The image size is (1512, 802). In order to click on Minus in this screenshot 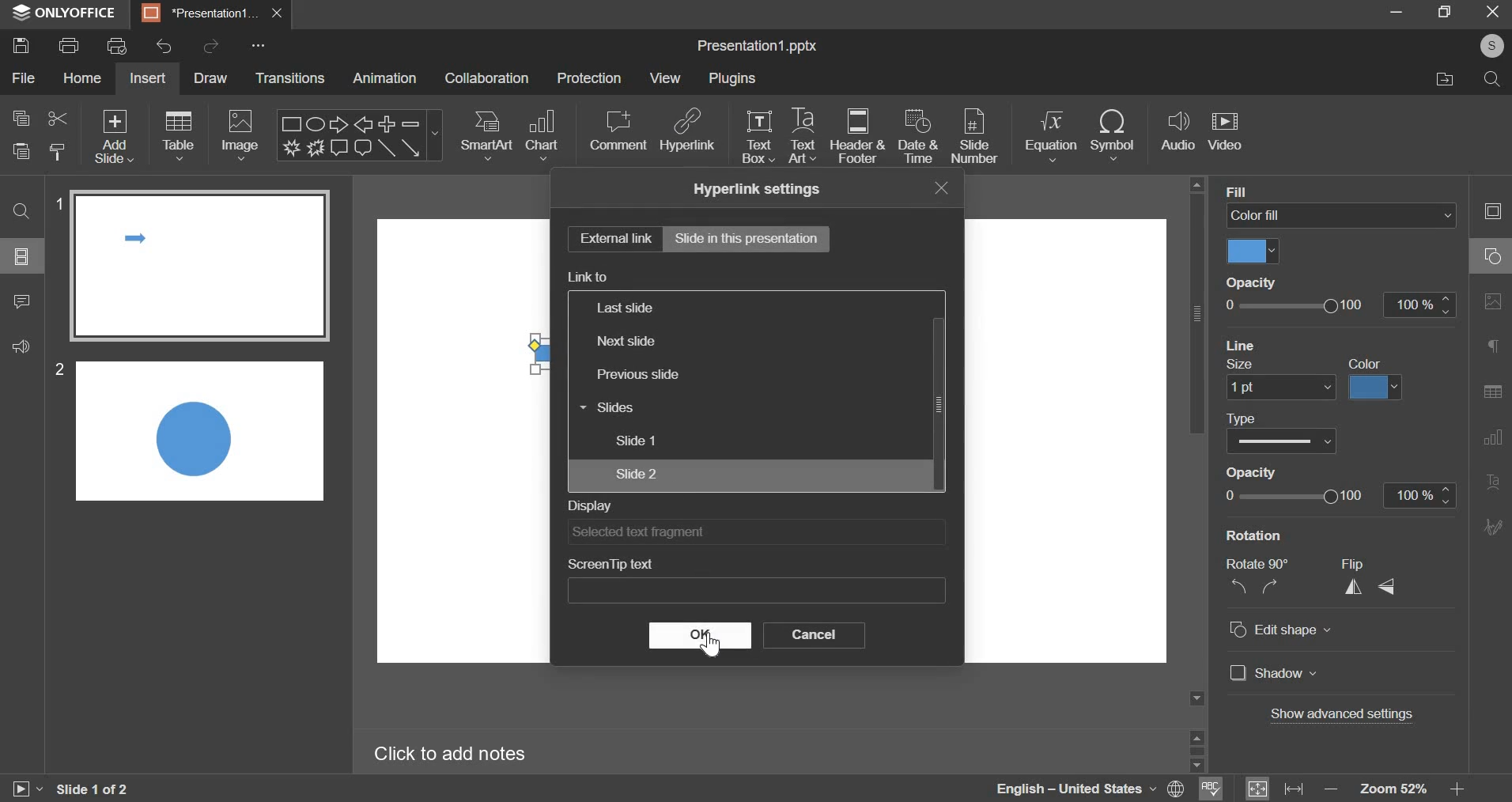, I will do `click(411, 123)`.